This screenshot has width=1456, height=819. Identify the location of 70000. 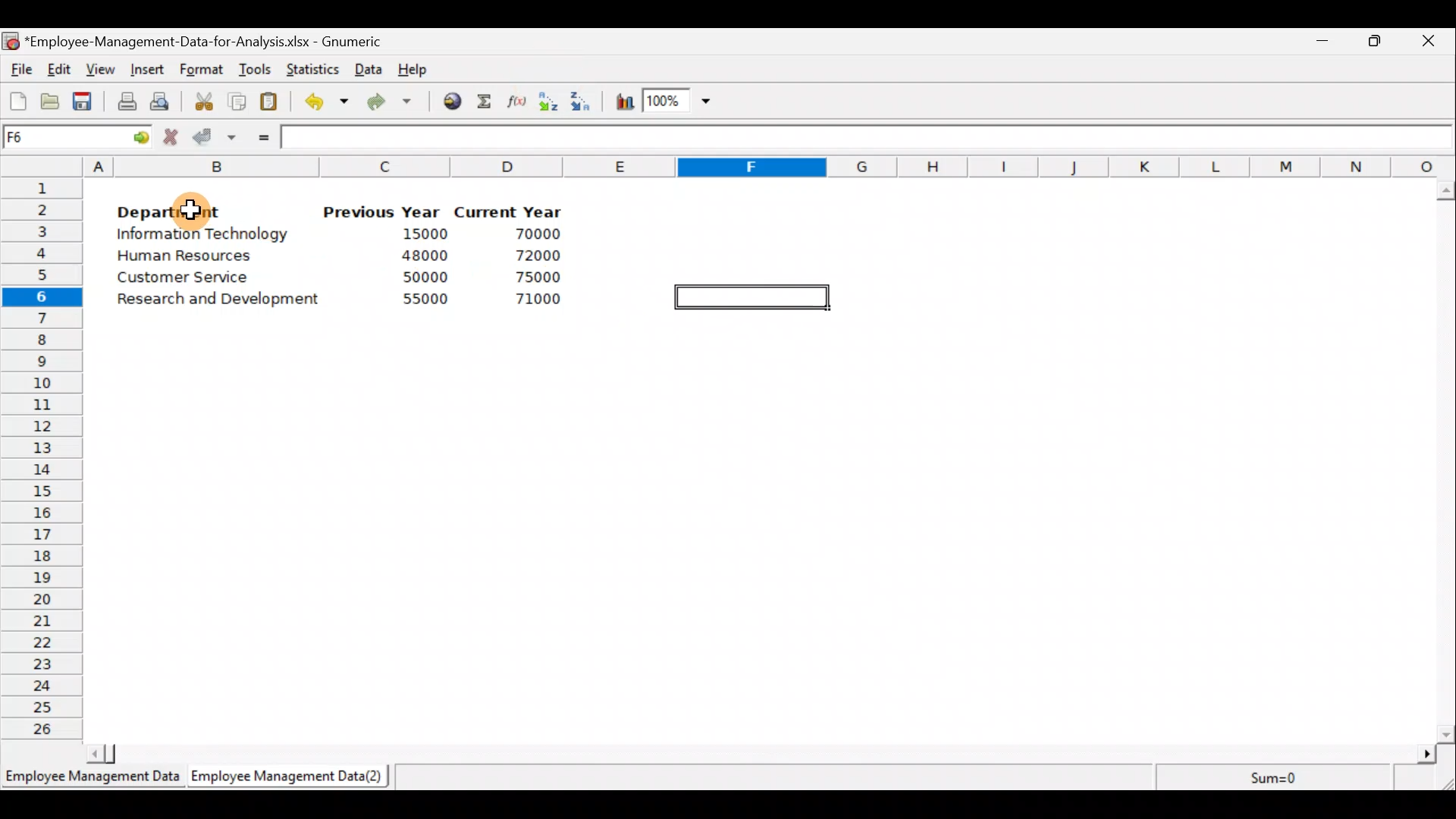
(538, 234).